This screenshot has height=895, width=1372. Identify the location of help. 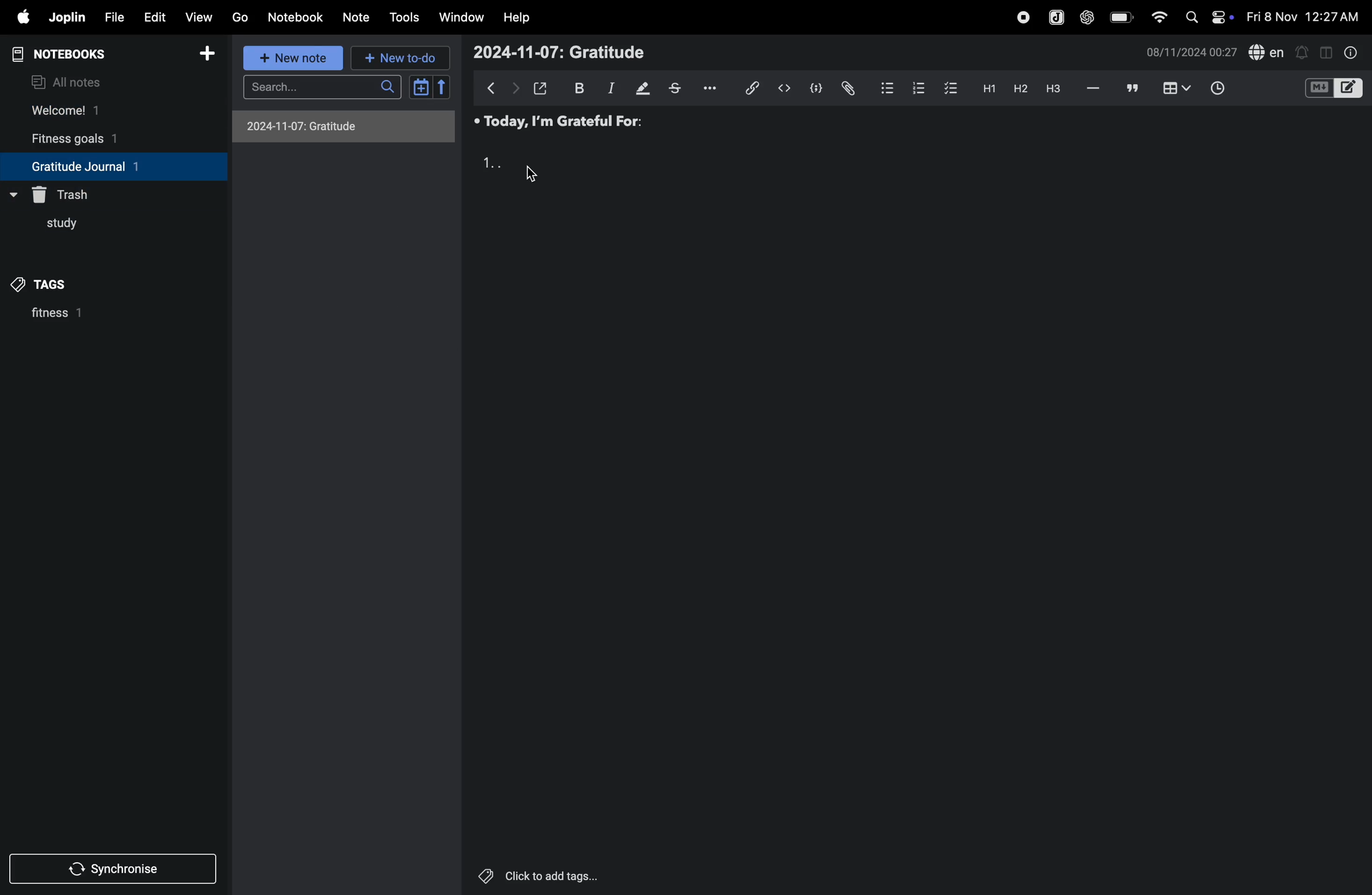
(517, 18).